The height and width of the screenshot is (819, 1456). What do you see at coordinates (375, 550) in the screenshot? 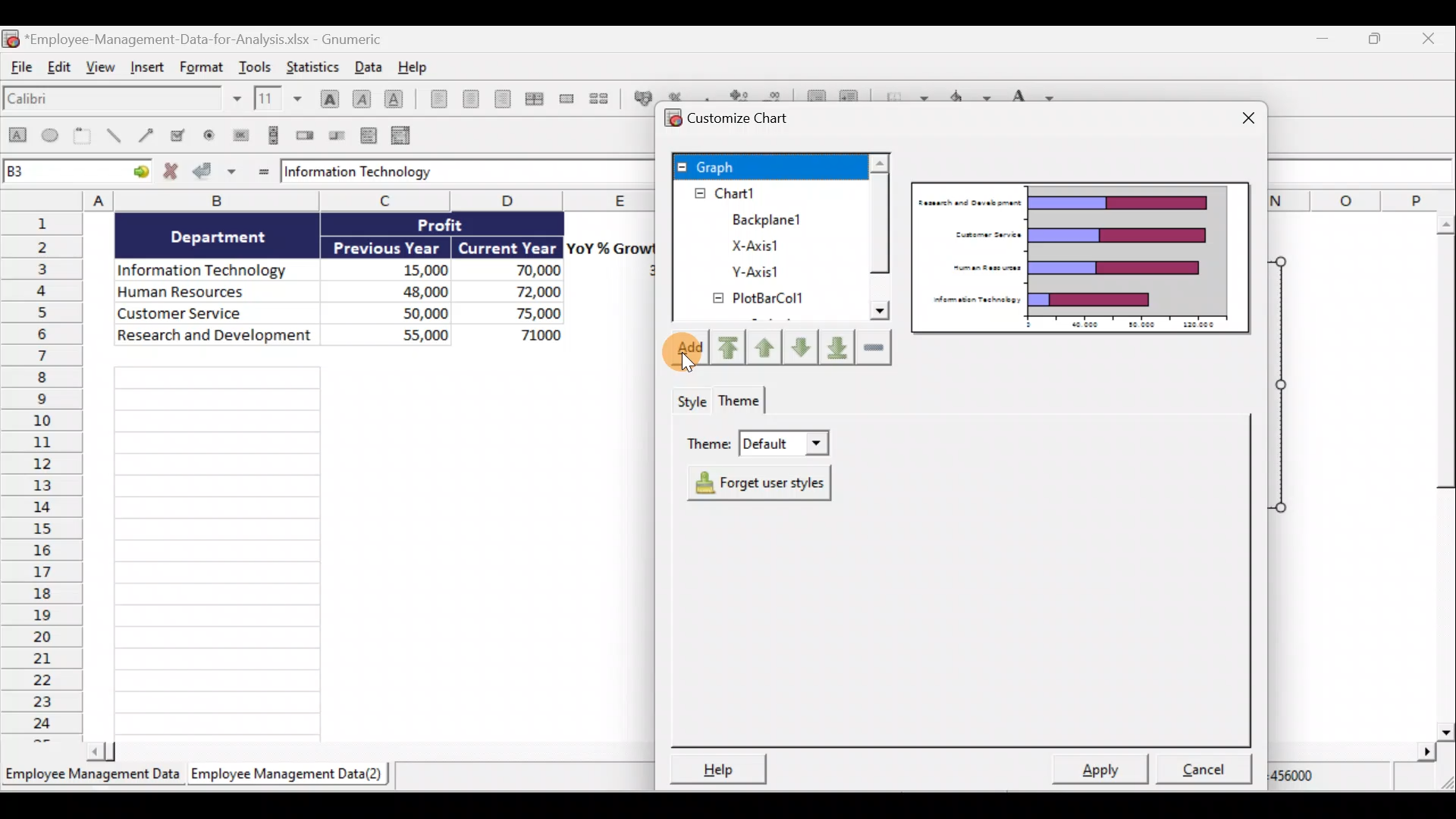
I see `Cells` at bounding box center [375, 550].